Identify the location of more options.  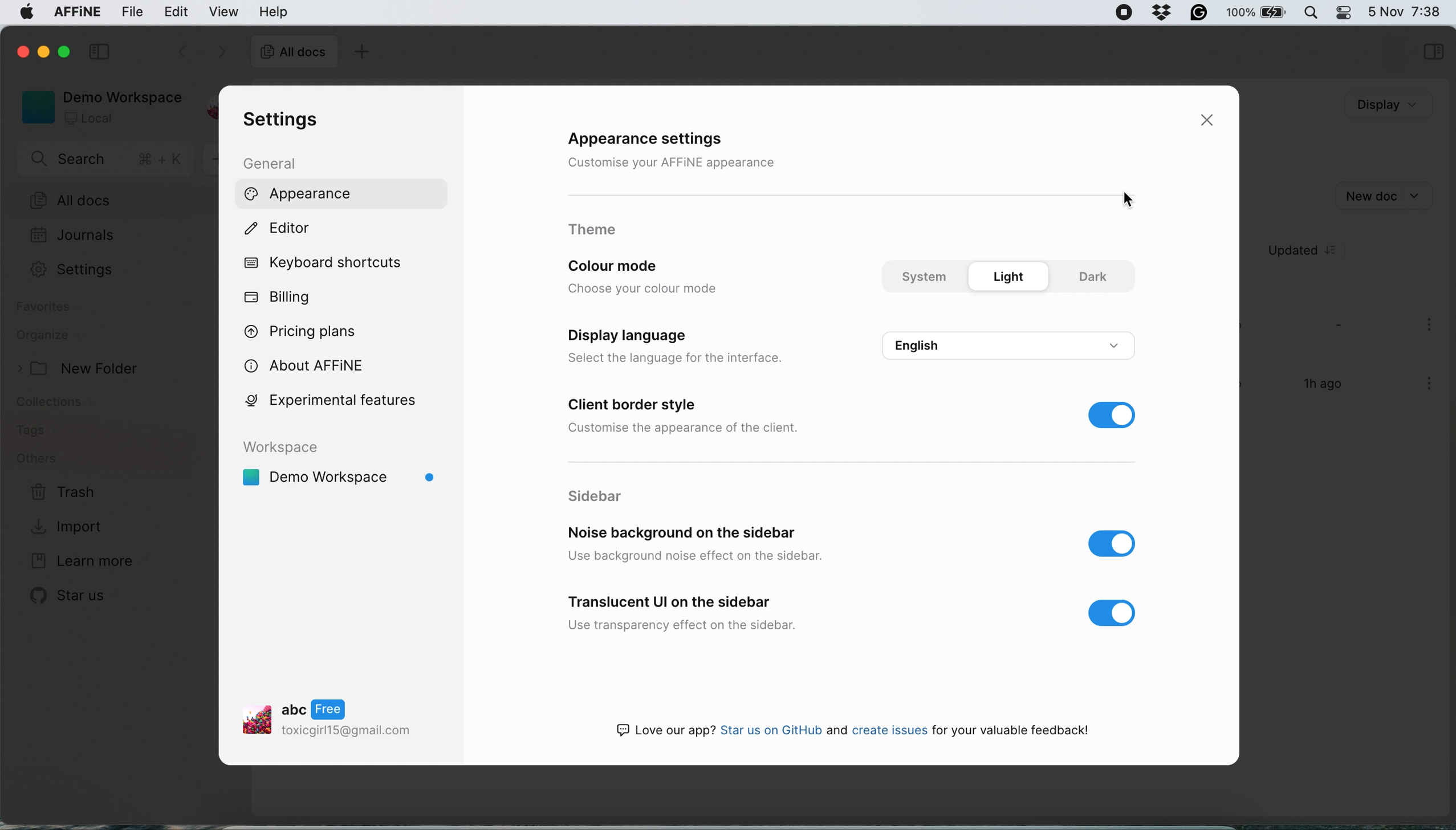
(1425, 327).